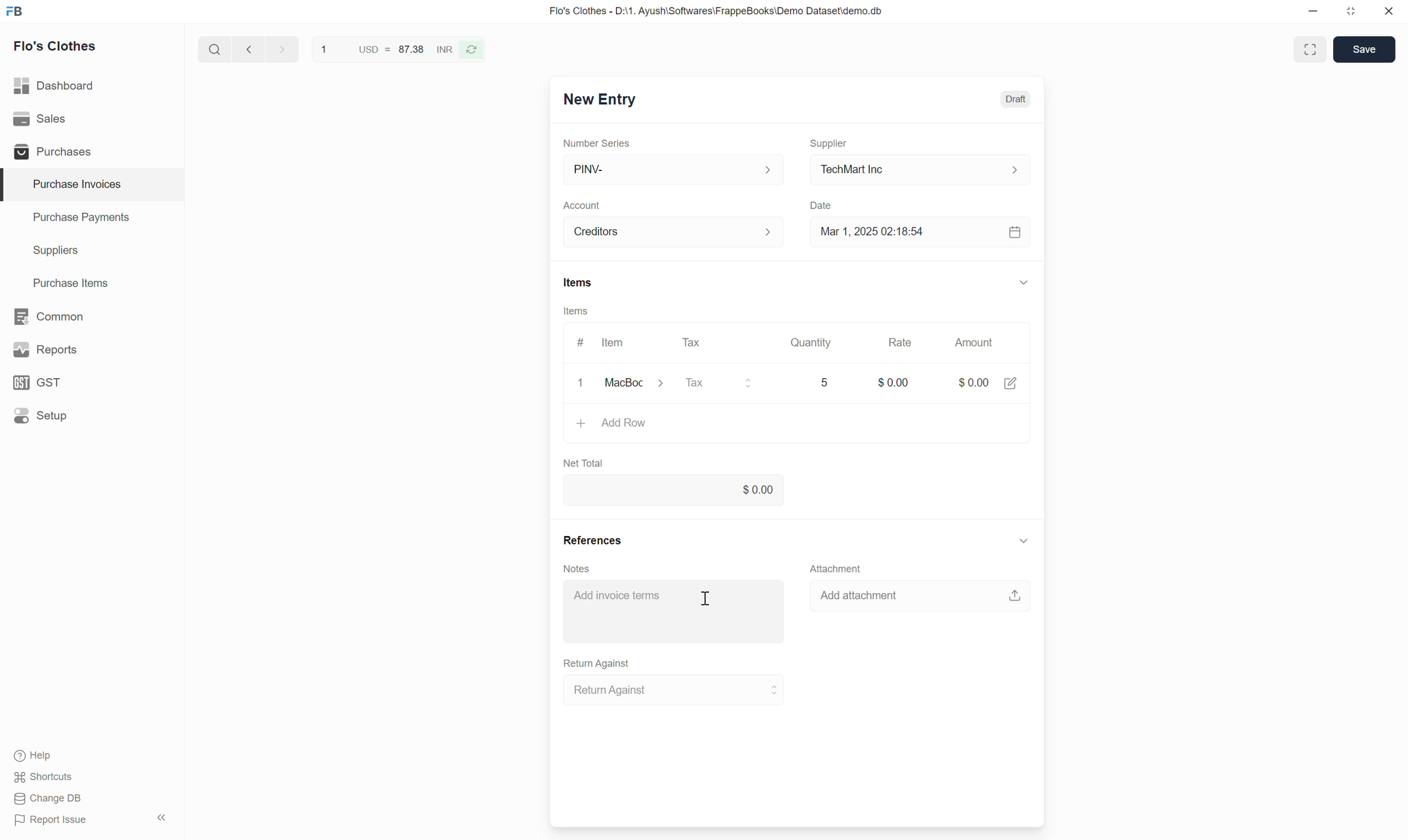  I want to click on Sales, so click(92, 119).